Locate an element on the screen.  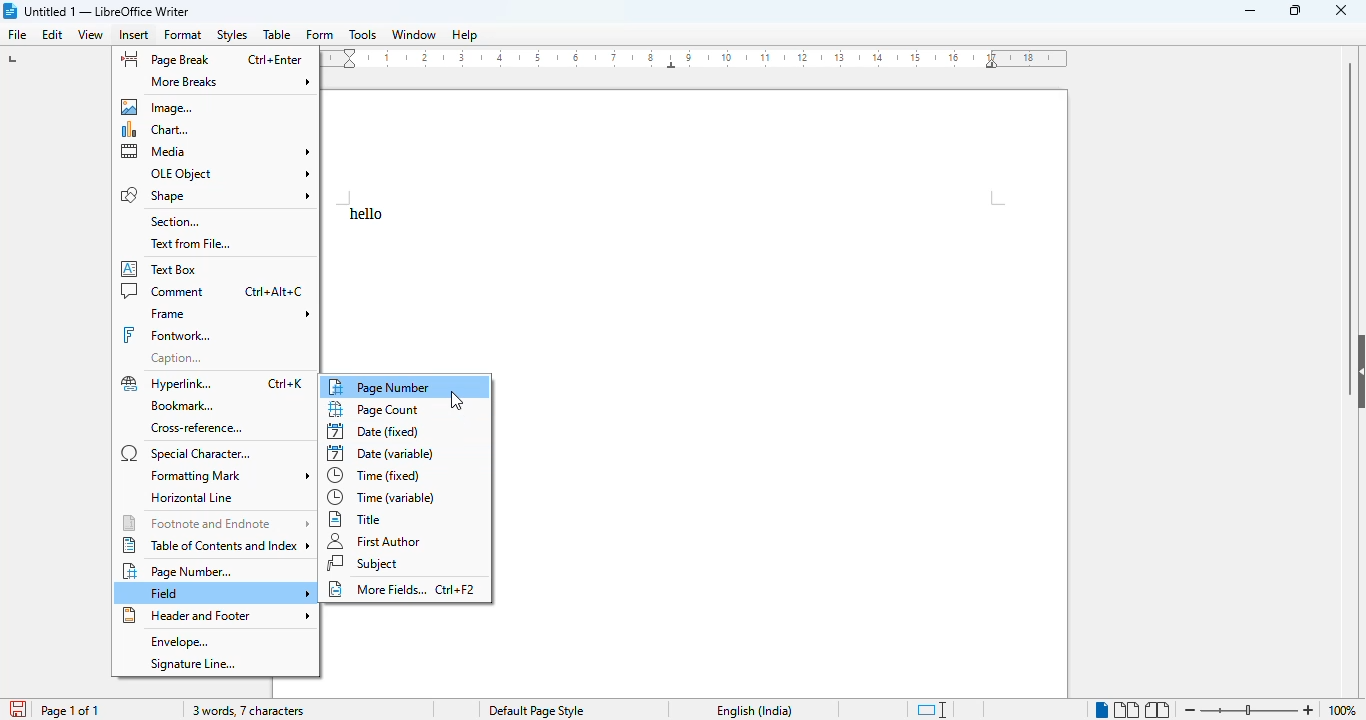
subject is located at coordinates (365, 563).